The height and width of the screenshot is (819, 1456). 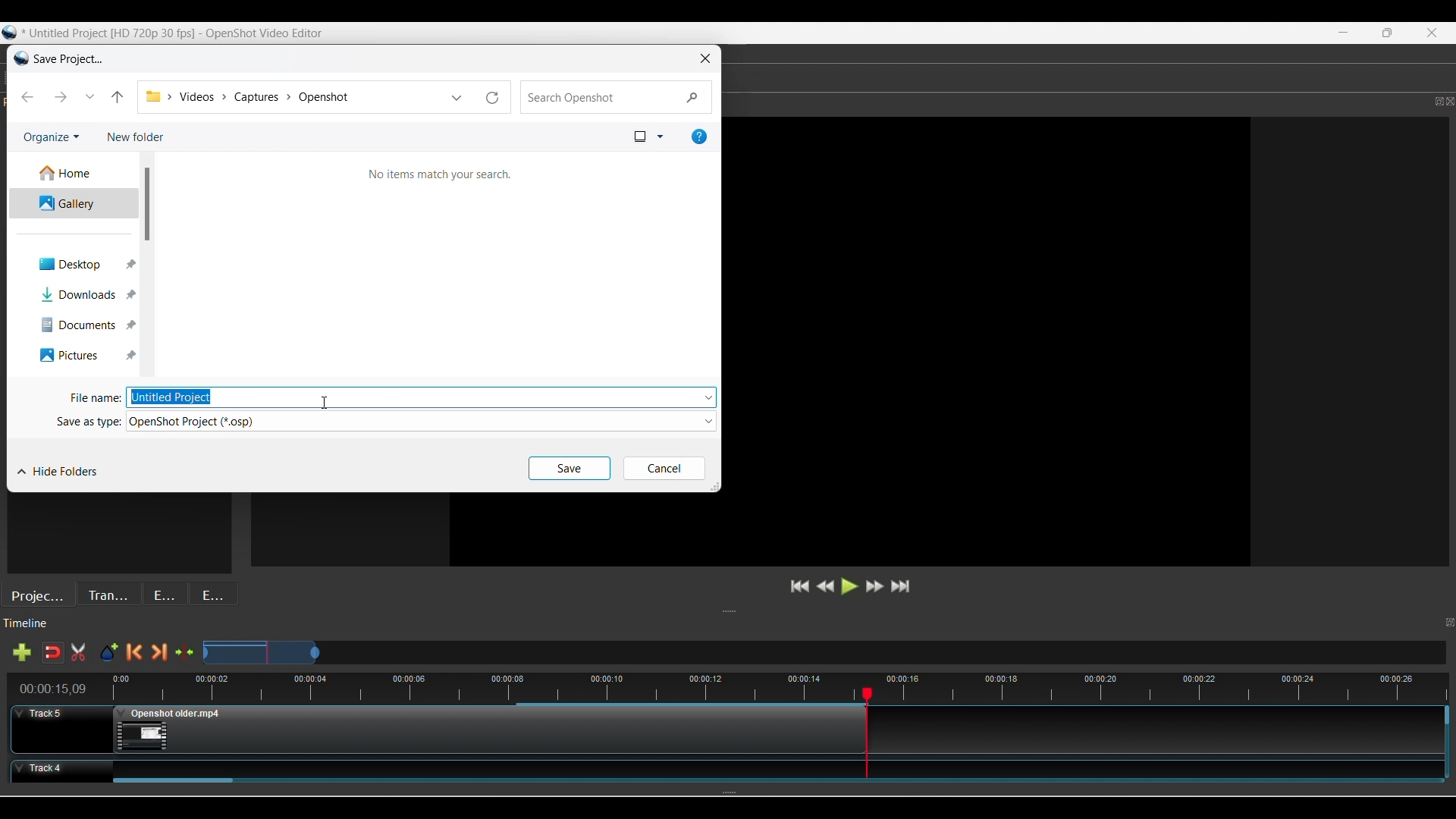 What do you see at coordinates (78, 652) in the screenshot?
I see `Cut` at bounding box center [78, 652].